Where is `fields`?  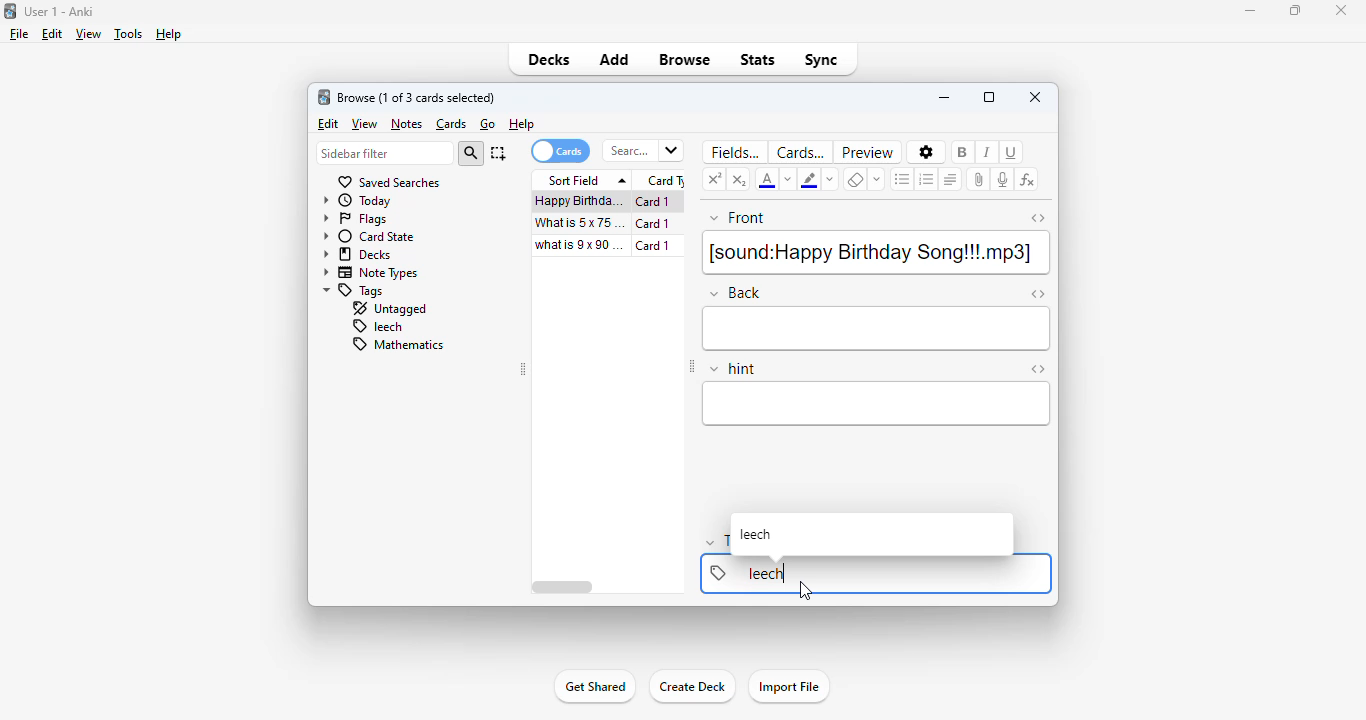 fields is located at coordinates (732, 152).